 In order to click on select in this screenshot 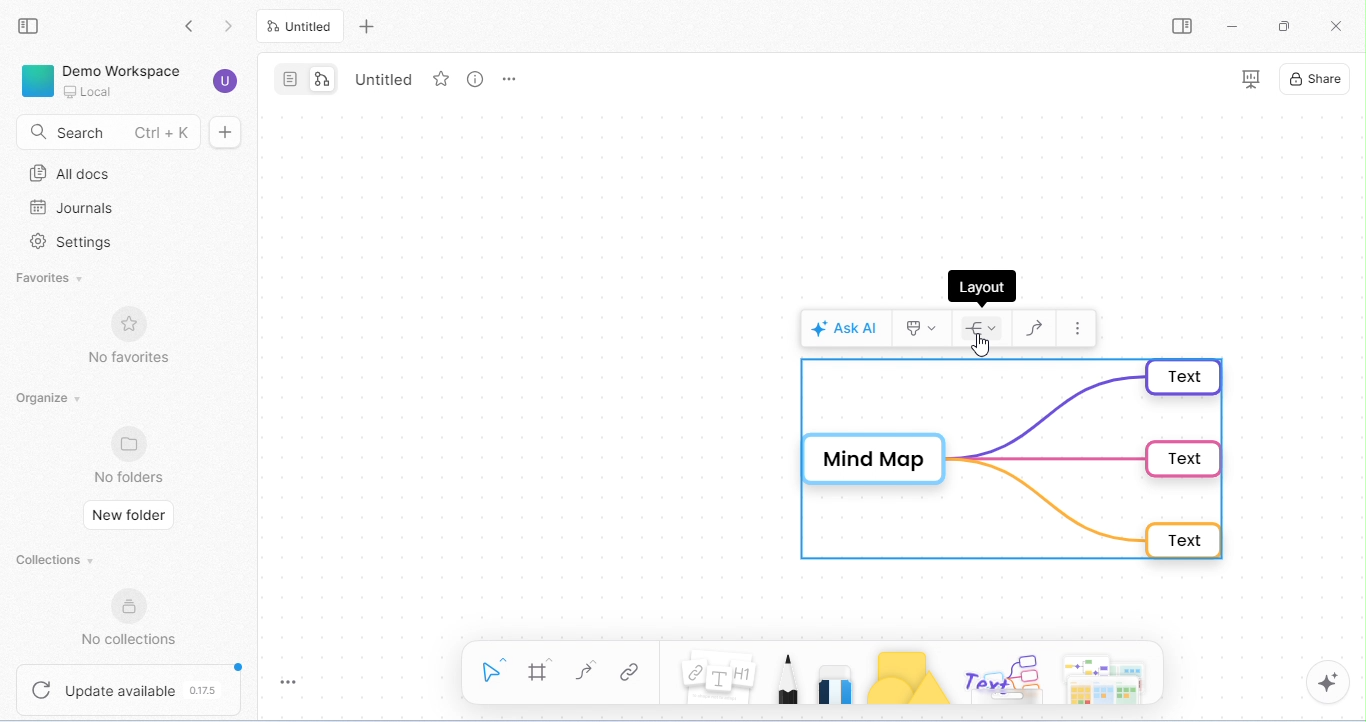, I will do `click(492, 669)`.